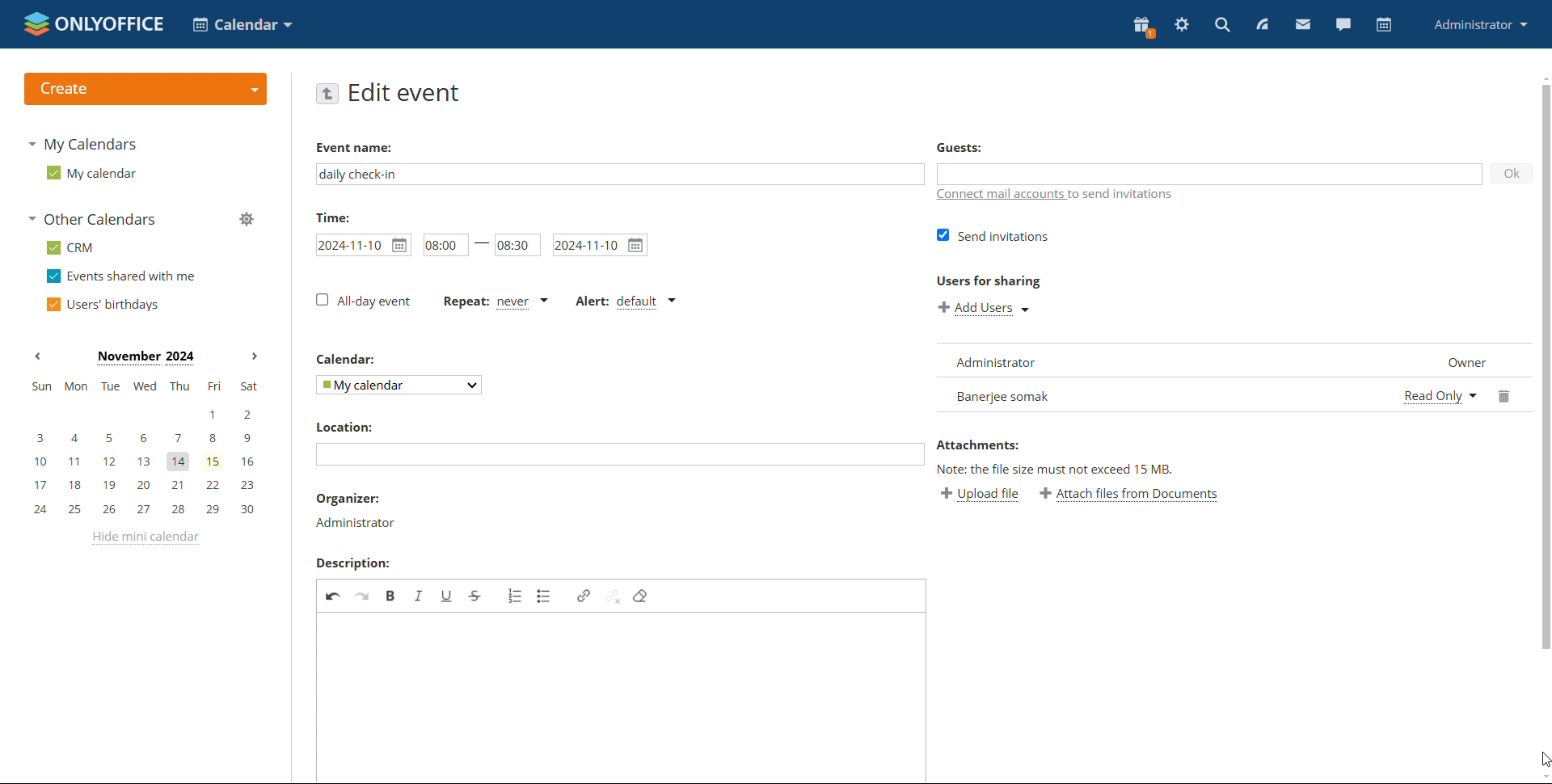 The height and width of the screenshot is (784, 1552). What do you see at coordinates (368, 145) in the screenshot?
I see `event name:` at bounding box center [368, 145].